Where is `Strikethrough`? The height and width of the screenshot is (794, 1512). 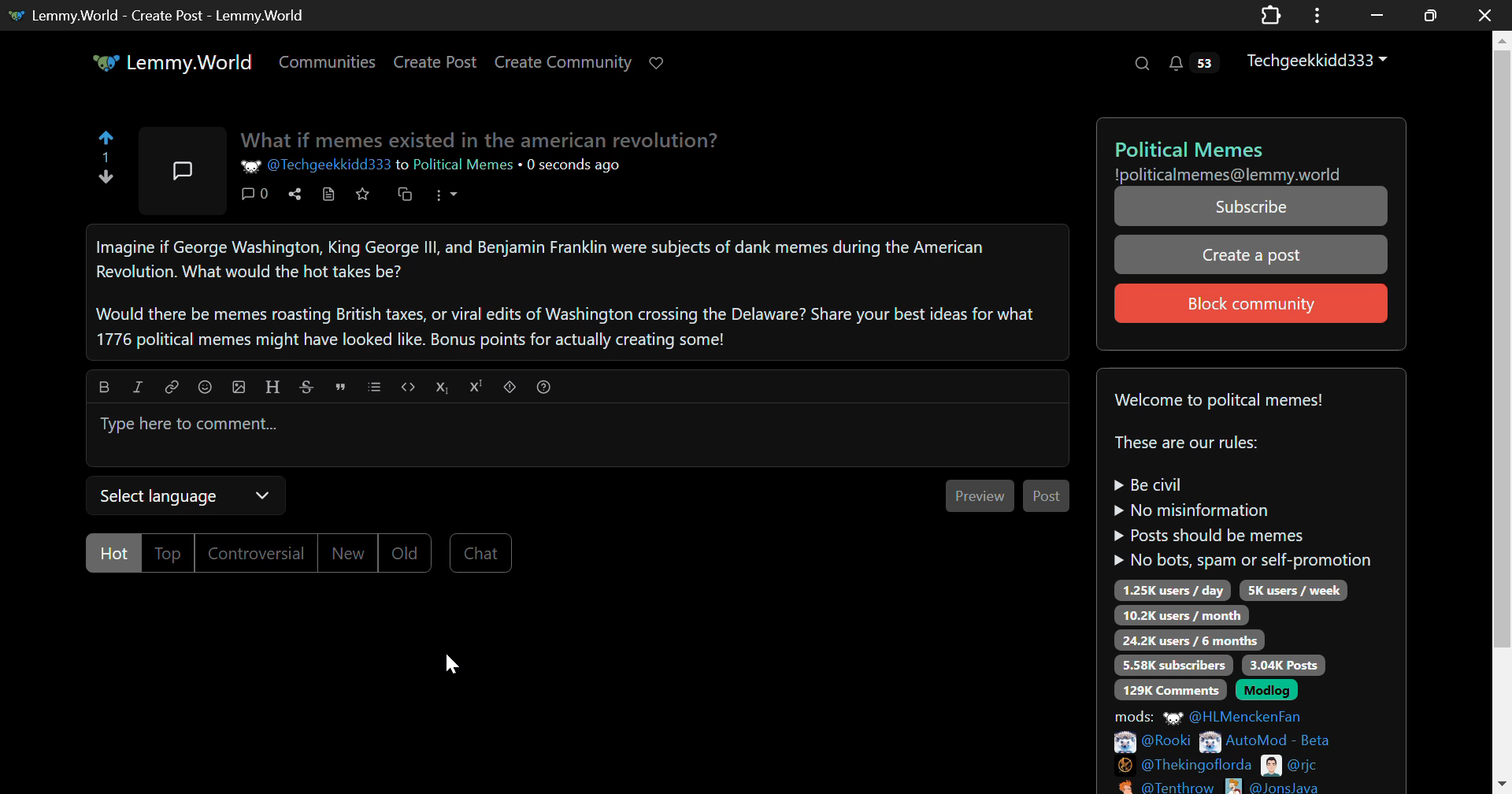 Strikethrough is located at coordinates (308, 385).